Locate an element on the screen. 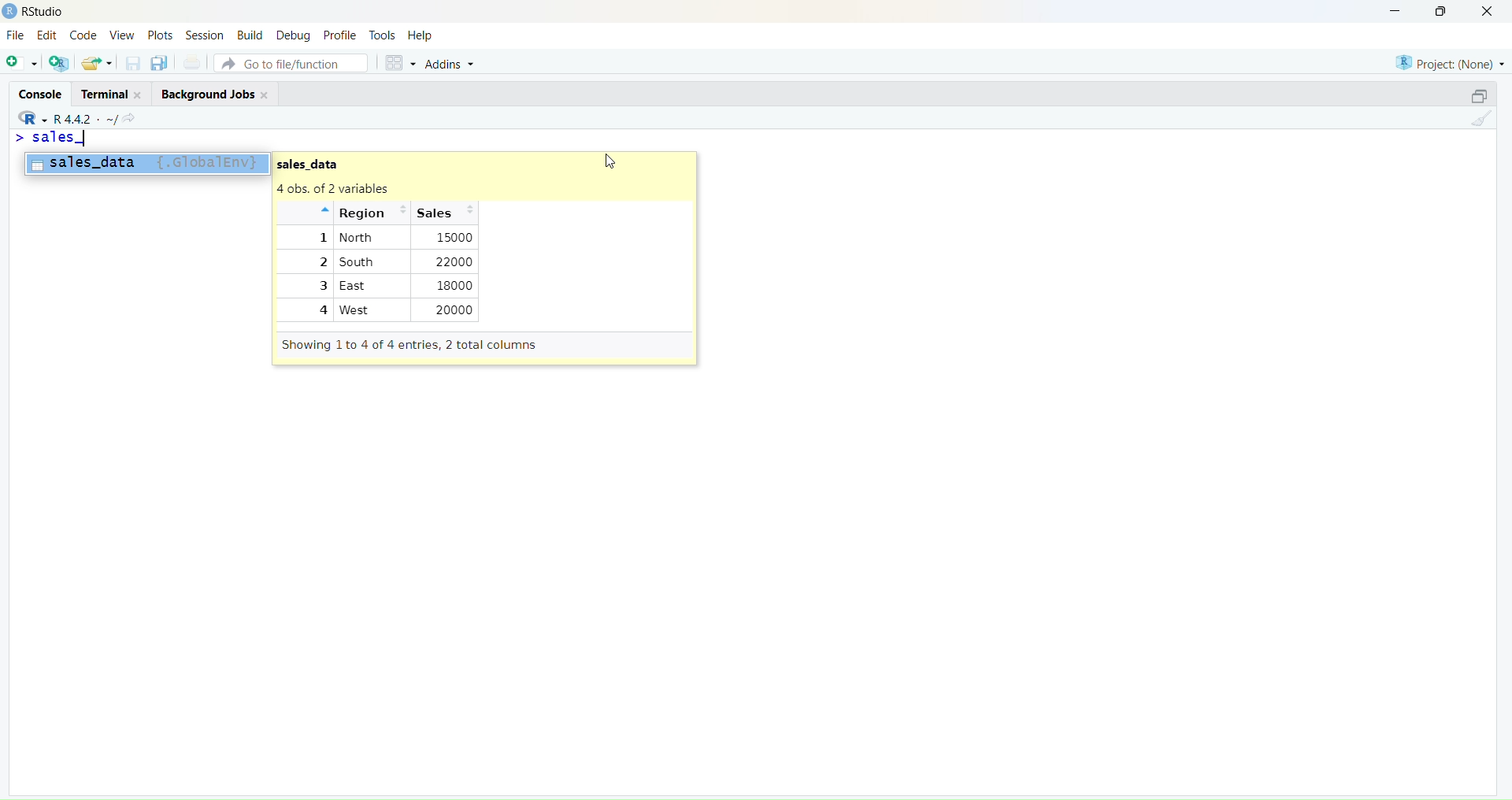 The height and width of the screenshot is (800, 1512). Build is located at coordinates (249, 35).